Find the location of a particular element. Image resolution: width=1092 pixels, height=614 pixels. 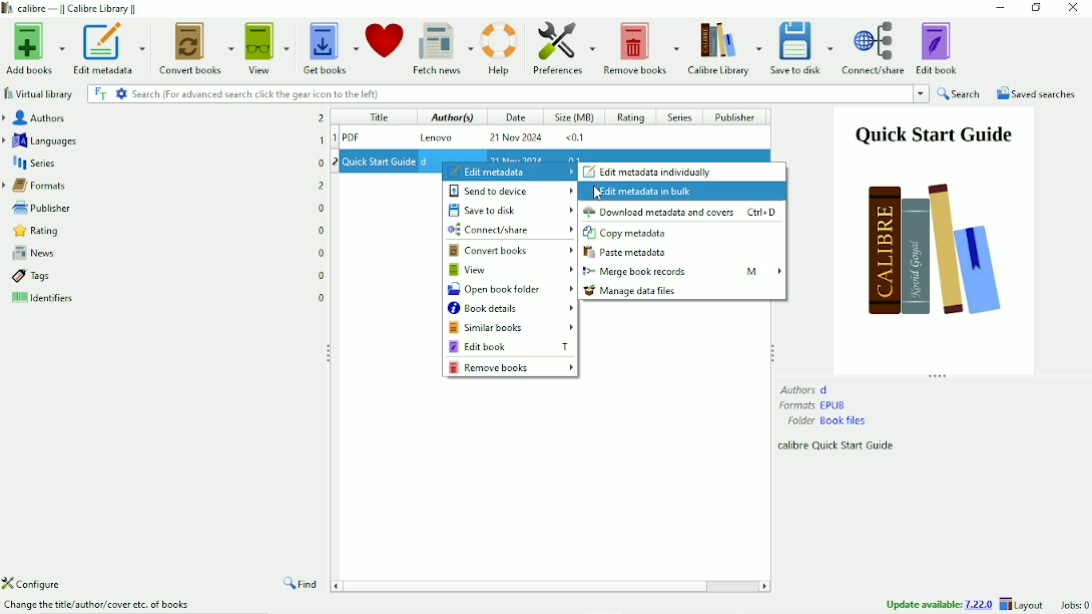

Add books is located at coordinates (33, 49).